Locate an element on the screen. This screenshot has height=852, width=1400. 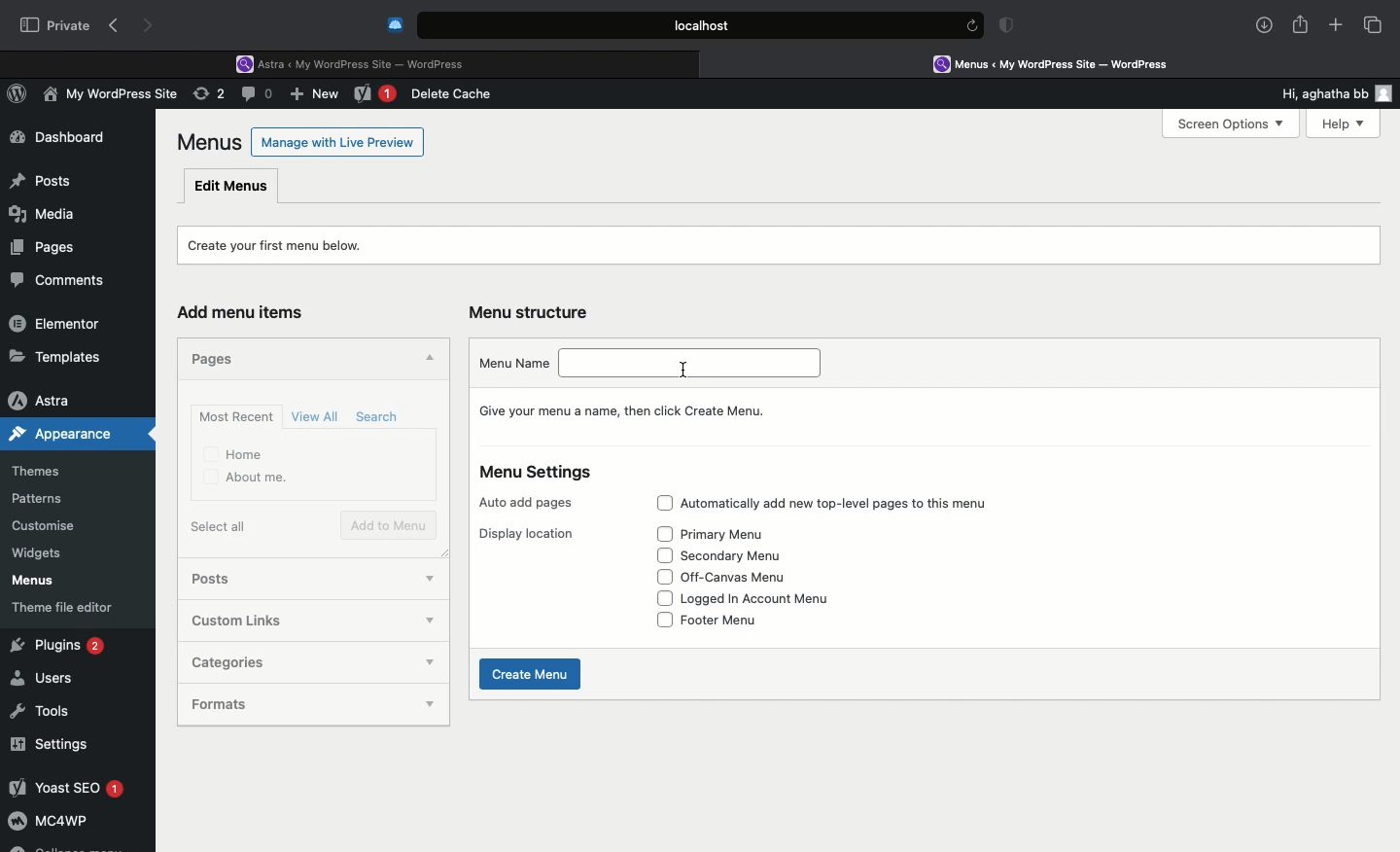
Create your first menu below is located at coordinates (288, 243).